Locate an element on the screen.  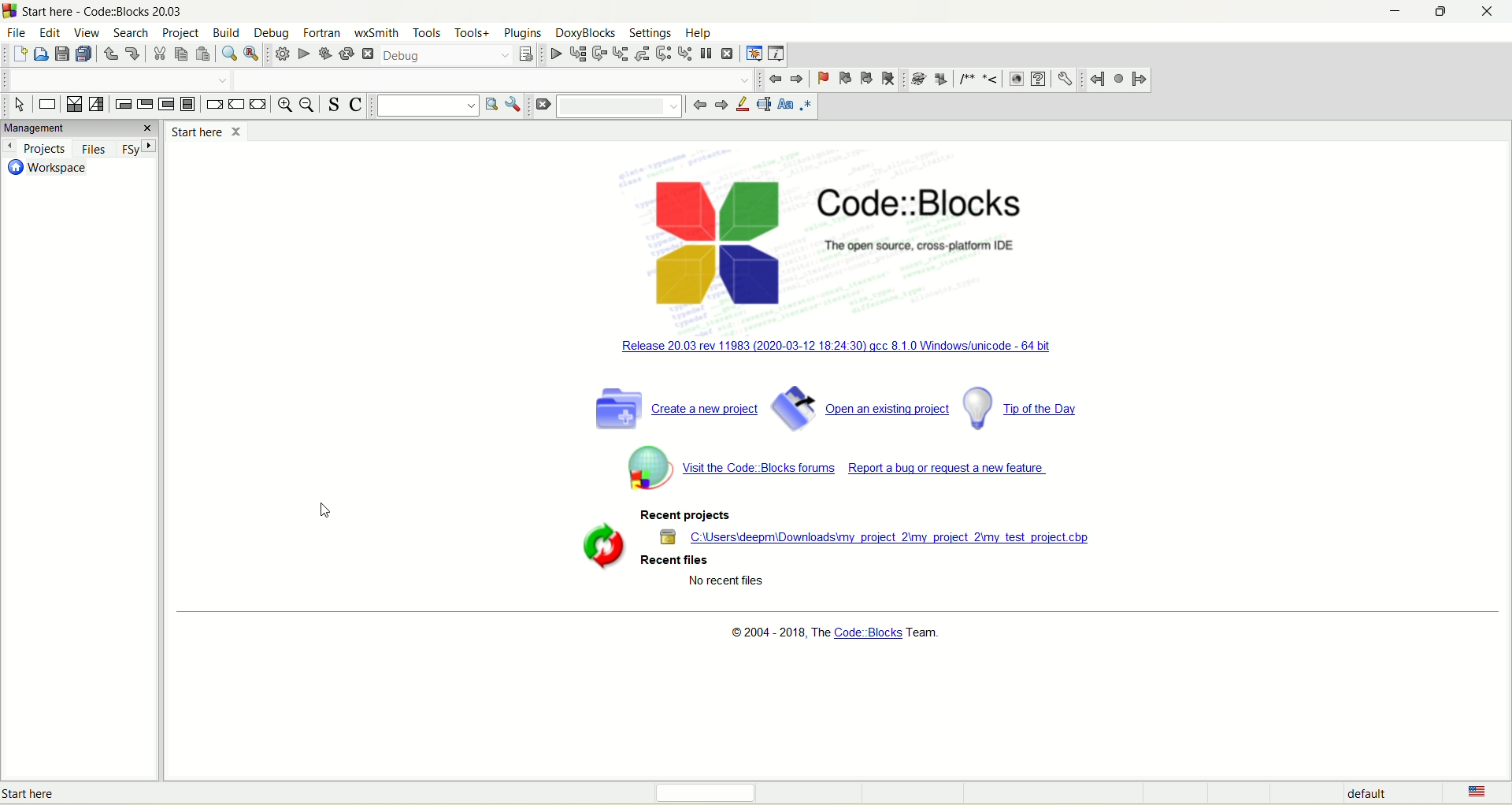
logo is located at coordinates (724, 244).